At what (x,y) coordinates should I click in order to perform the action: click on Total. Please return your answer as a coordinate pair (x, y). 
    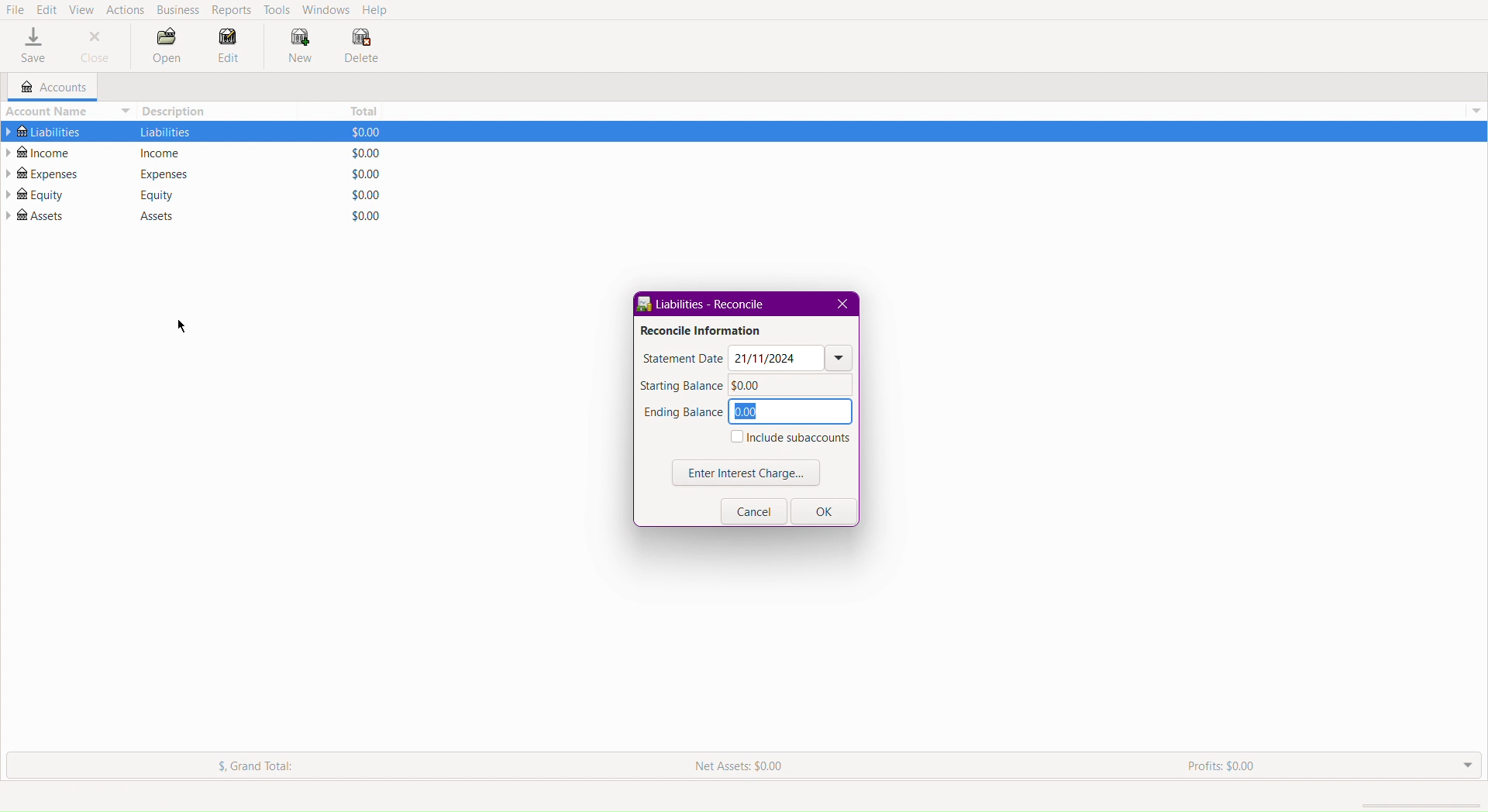
    Looking at the image, I should click on (367, 174).